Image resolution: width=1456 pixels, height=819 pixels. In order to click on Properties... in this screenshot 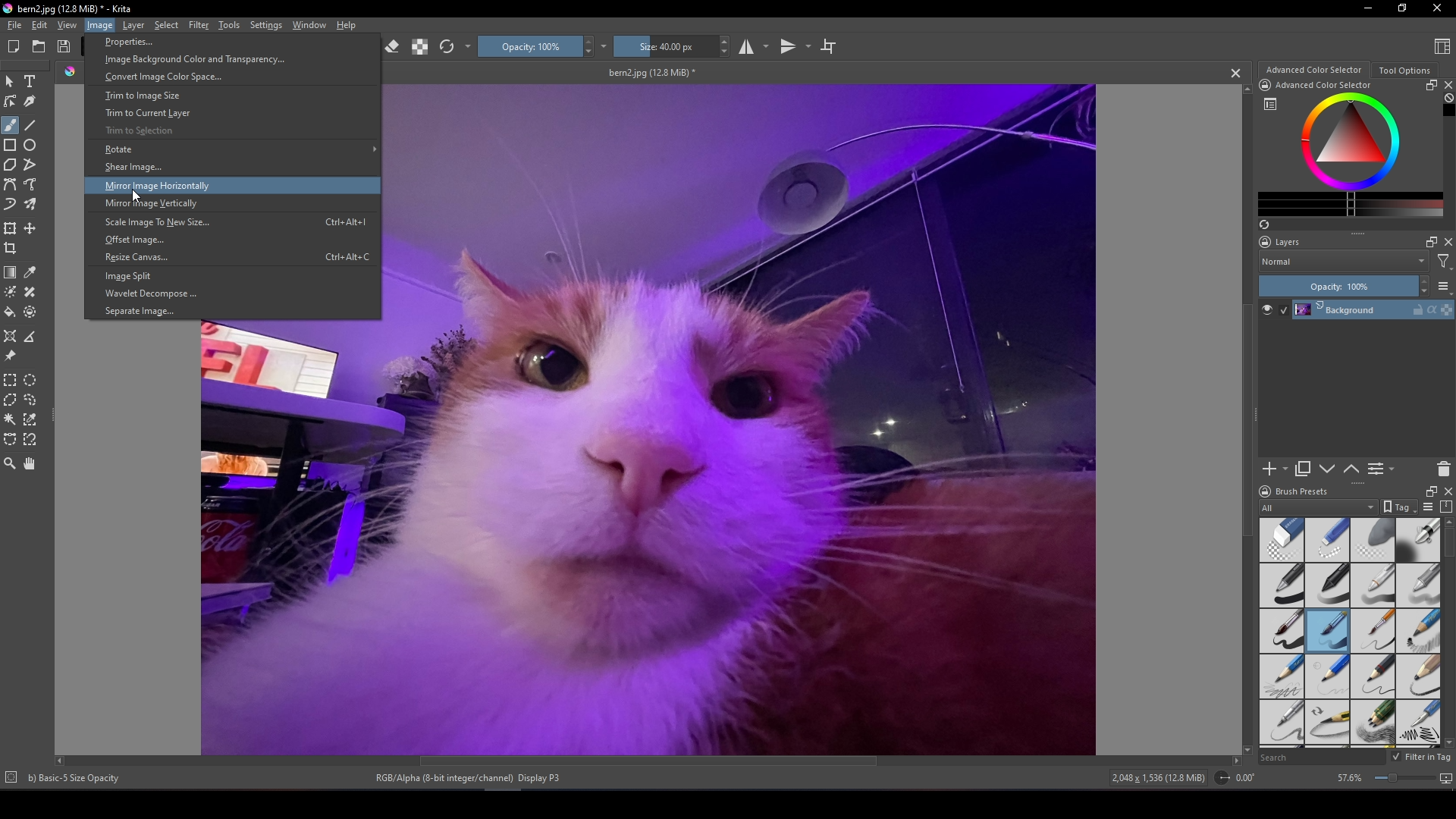, I will do `click(234, 42)`.